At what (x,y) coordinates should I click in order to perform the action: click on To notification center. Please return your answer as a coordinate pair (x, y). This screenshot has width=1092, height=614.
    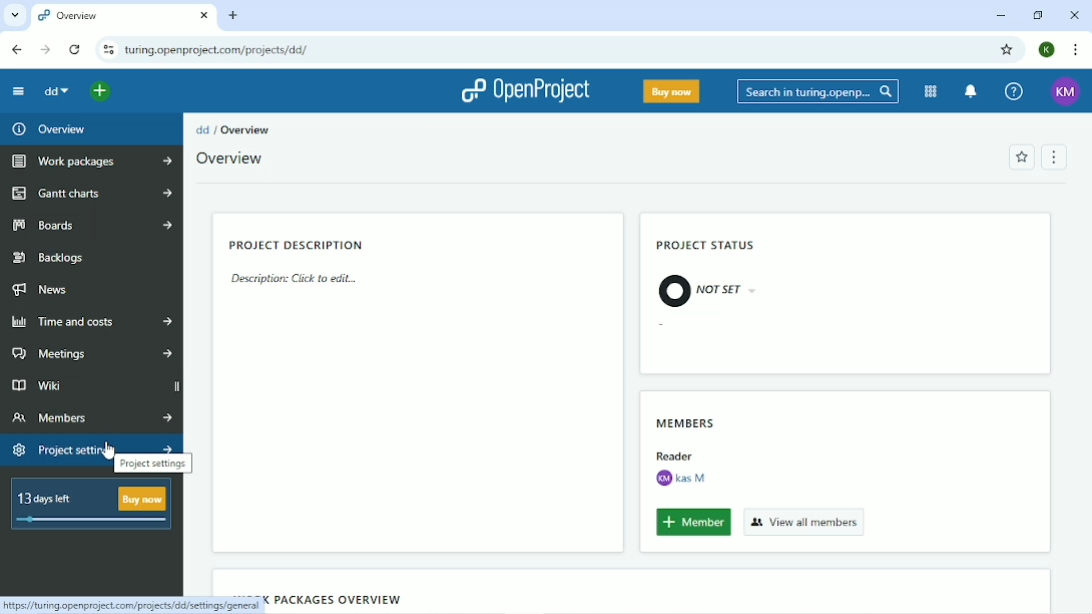
    Looking at the image, I should click on (971, 92).